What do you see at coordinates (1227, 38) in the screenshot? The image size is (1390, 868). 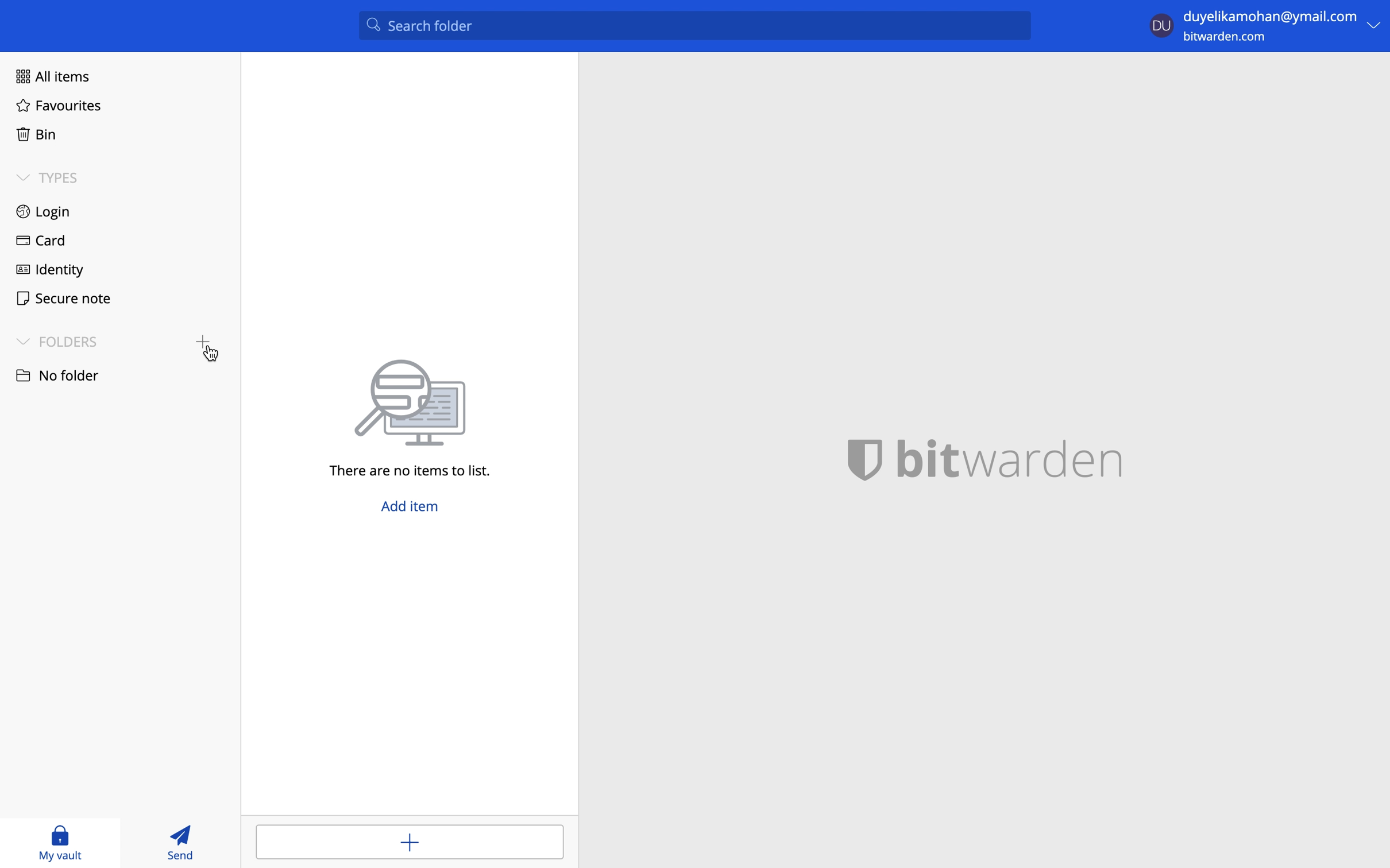 I see `bitwarden.com` at bounding box center [1227, 38].